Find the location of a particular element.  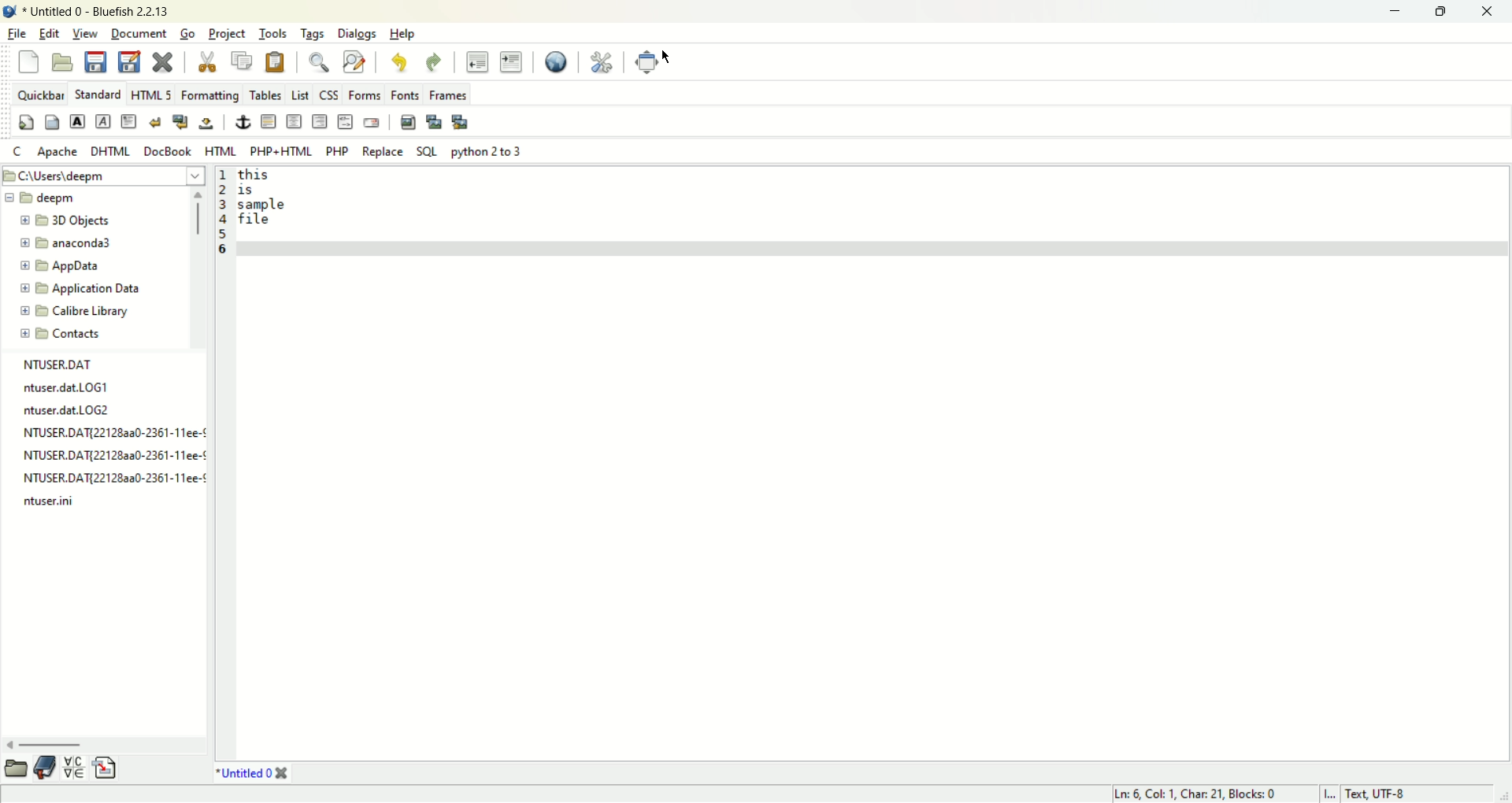

new is located at coordinates (30, 61).